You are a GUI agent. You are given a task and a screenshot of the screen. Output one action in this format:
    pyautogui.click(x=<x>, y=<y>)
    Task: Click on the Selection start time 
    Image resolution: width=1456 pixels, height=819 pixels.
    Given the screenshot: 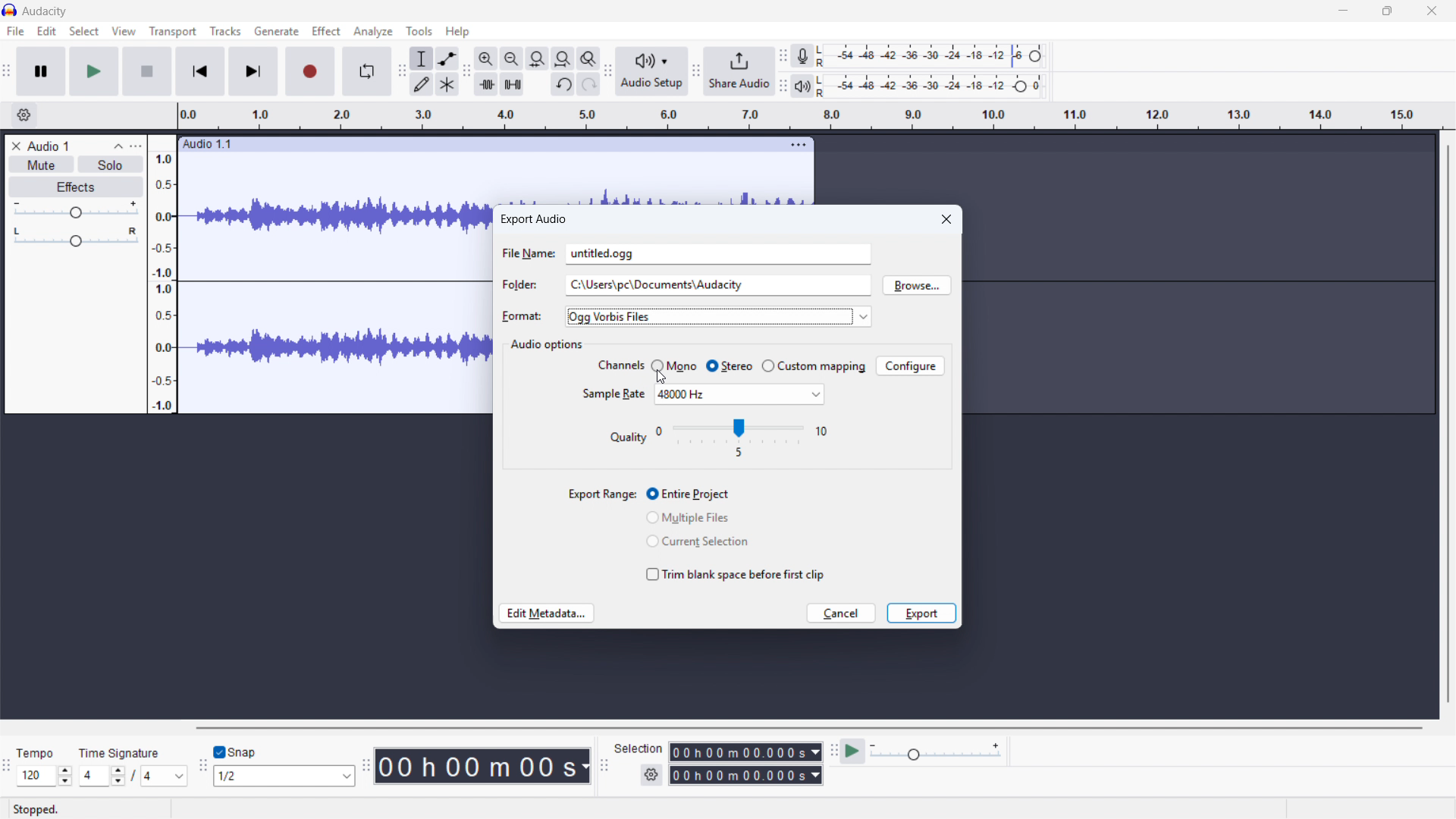 What is the action you would take?
    pyautogui.click(x=745, y=752)
    